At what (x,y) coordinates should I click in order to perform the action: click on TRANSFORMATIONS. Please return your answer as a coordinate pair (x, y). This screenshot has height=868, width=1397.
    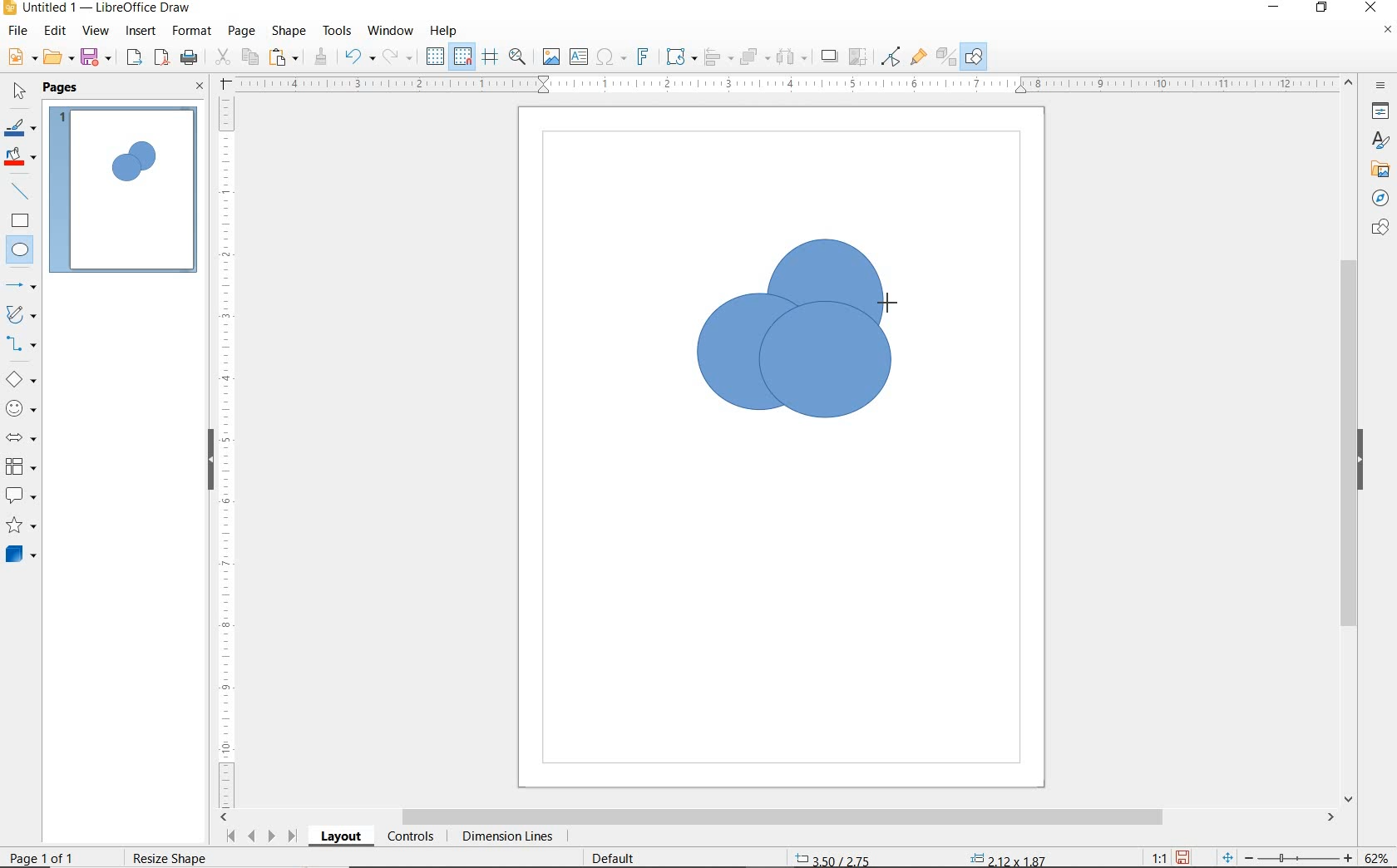
    Looking at the image, I should click on (679, 57).